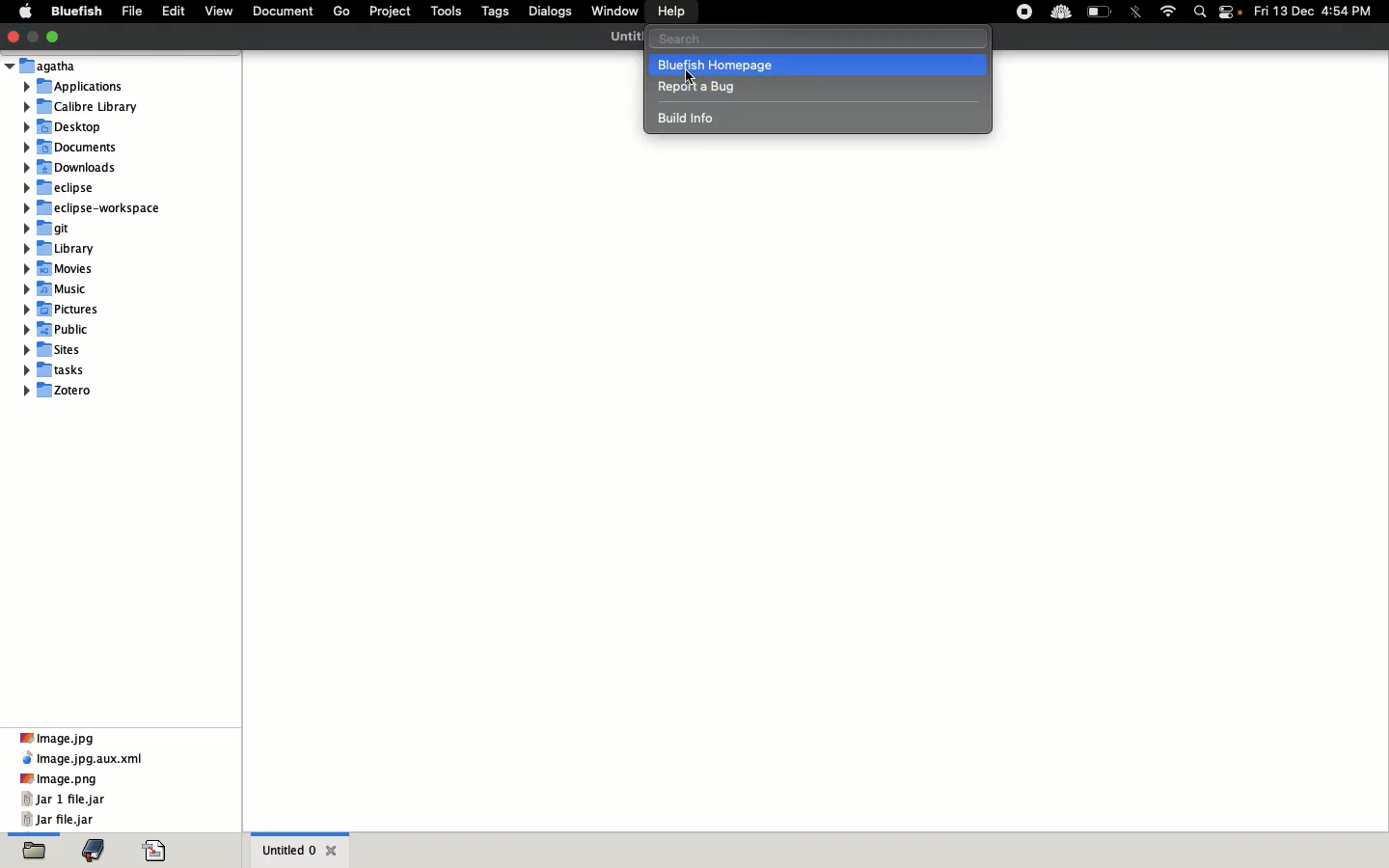 The width and height of the screenshot is (1389, 868). I want to click on Tools, so click(446, 12).